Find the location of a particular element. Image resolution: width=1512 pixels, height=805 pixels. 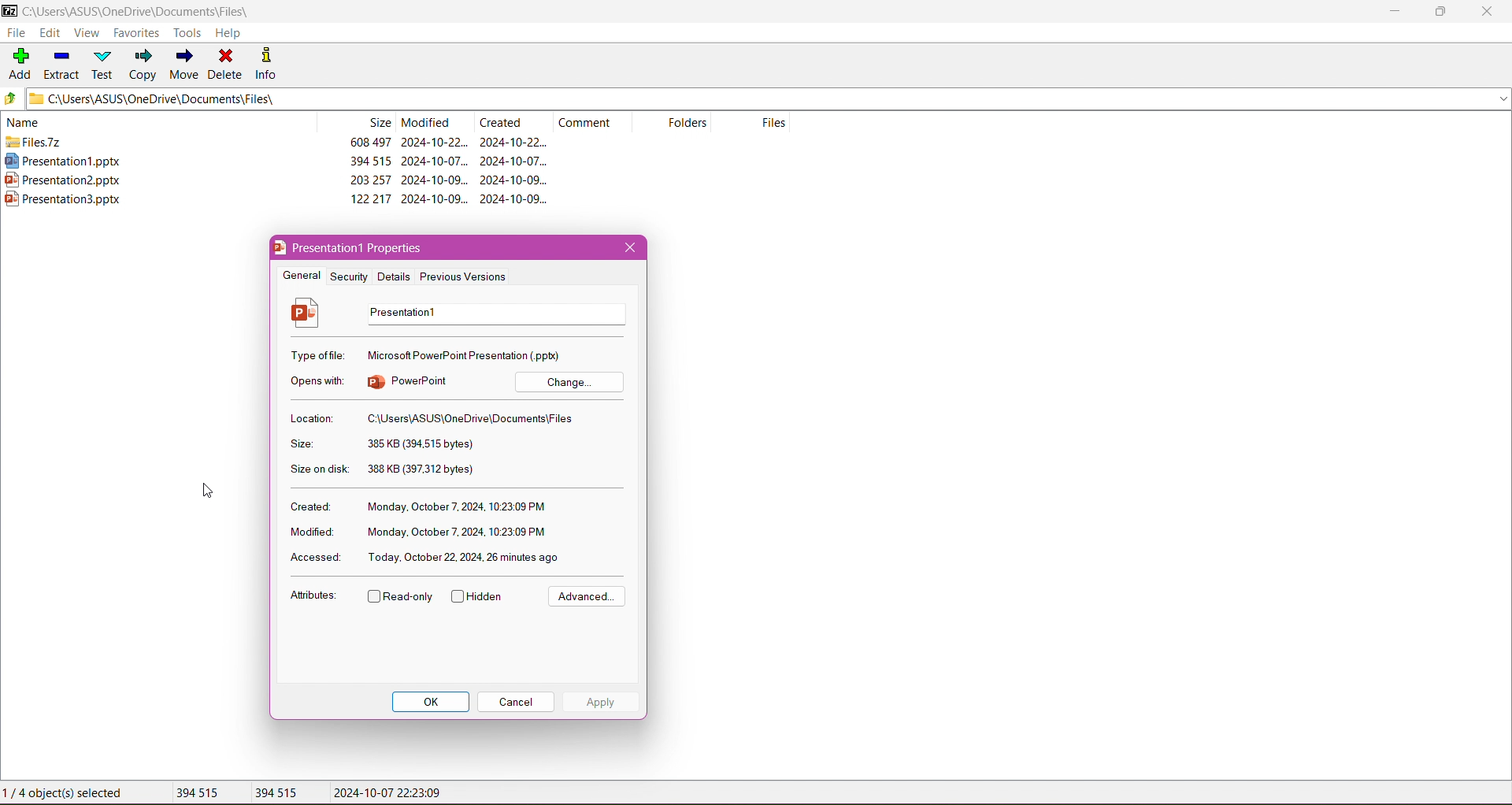

2024-10-07 is located at coordinates (434, 161).